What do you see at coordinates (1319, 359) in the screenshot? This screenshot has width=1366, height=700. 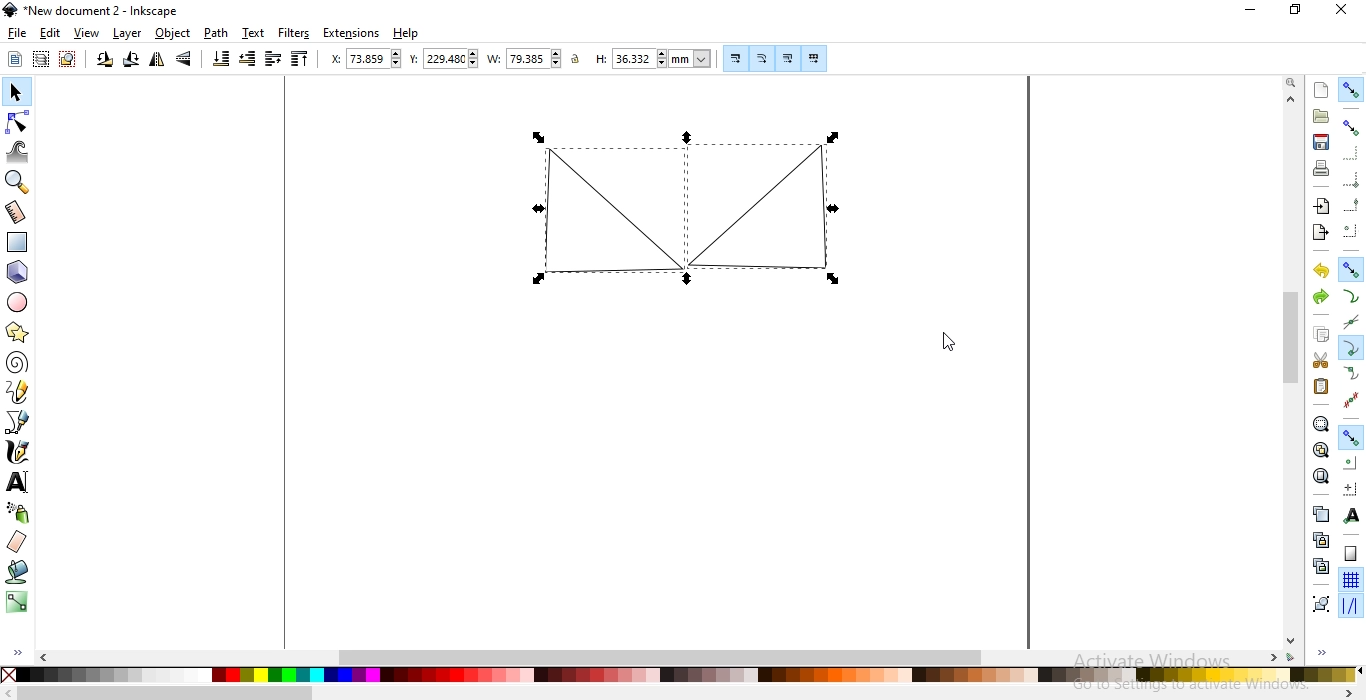 I see `cut selection to clipboard` at bounding box center [1319, 359].